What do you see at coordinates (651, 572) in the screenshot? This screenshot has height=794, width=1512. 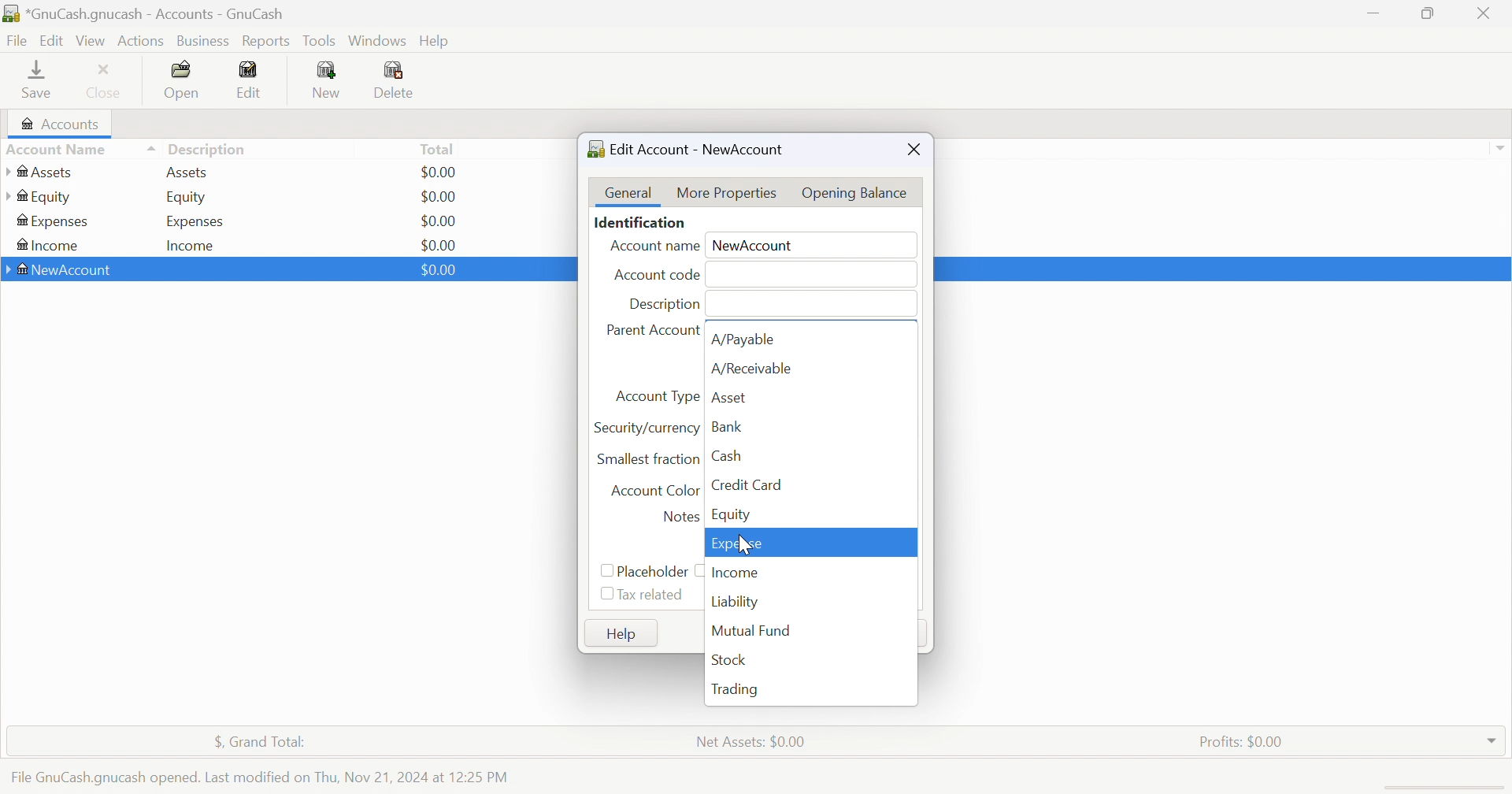 I see `Placeholder` at bounding box center [651, 572].